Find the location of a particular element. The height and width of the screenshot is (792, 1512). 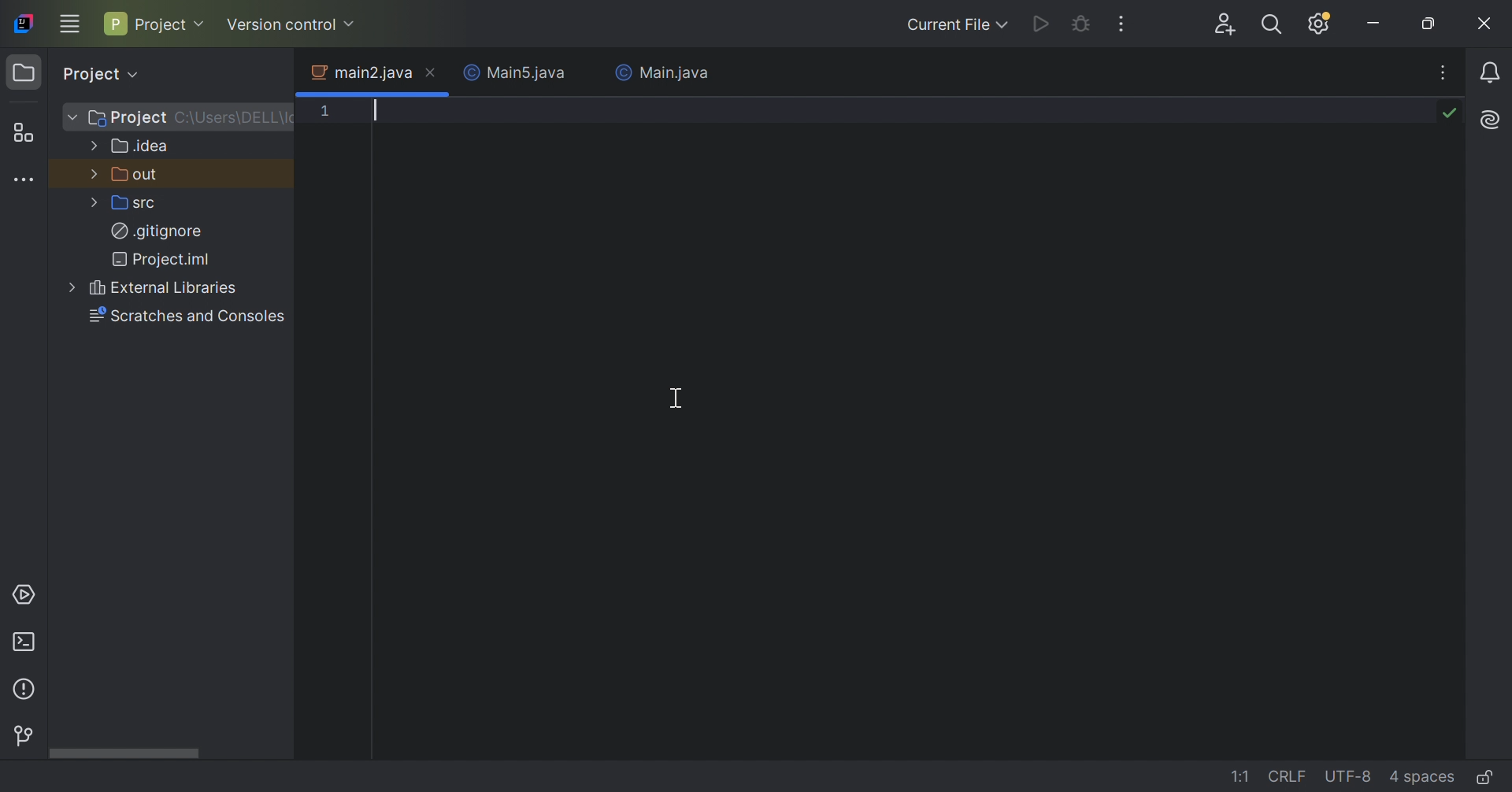

Project is located at coordinates (128, 118).